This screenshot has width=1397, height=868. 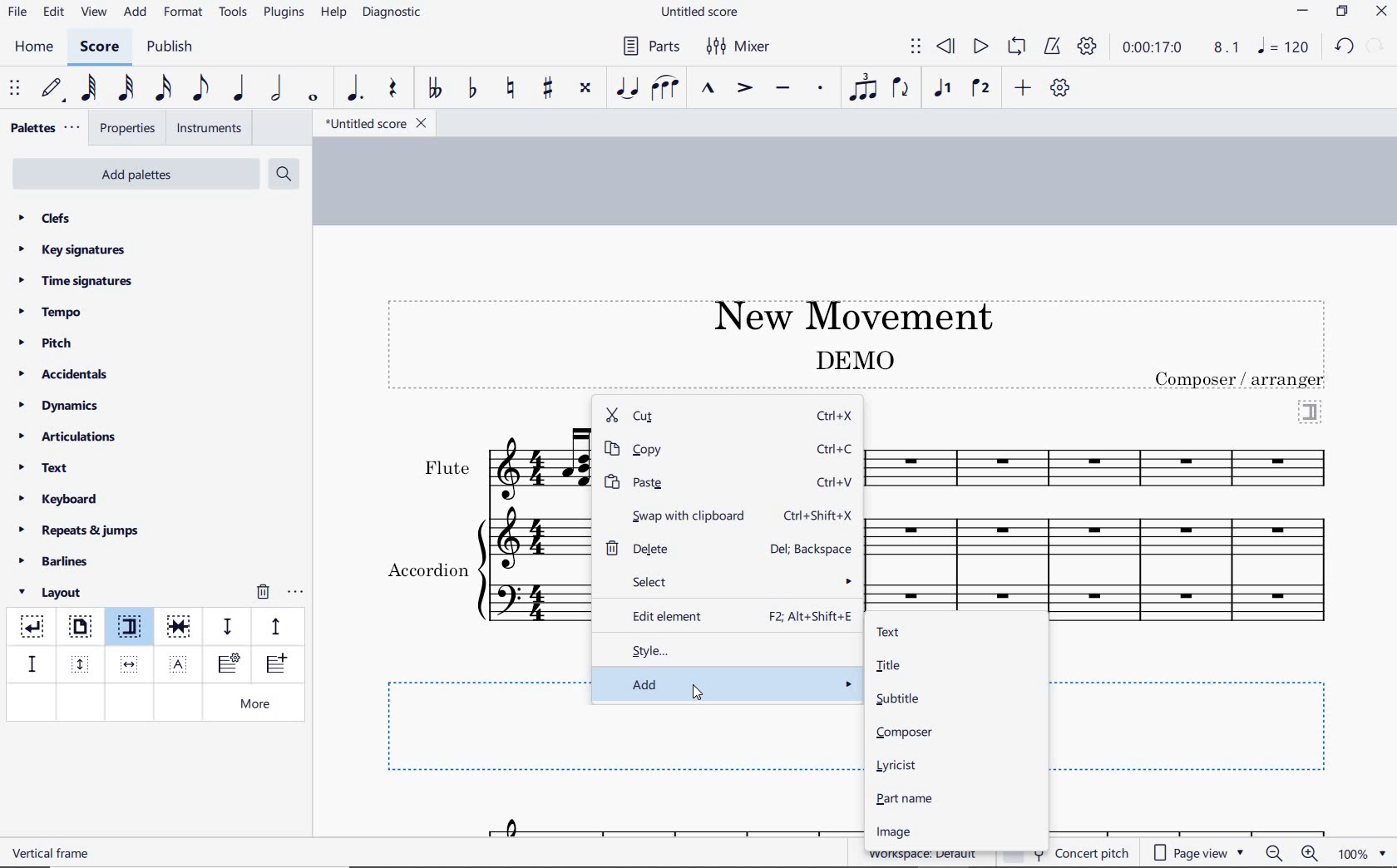 What do you see at coordinates (168, 48) in the screenshot?
I see `publish` at bounding box center [168, 48].